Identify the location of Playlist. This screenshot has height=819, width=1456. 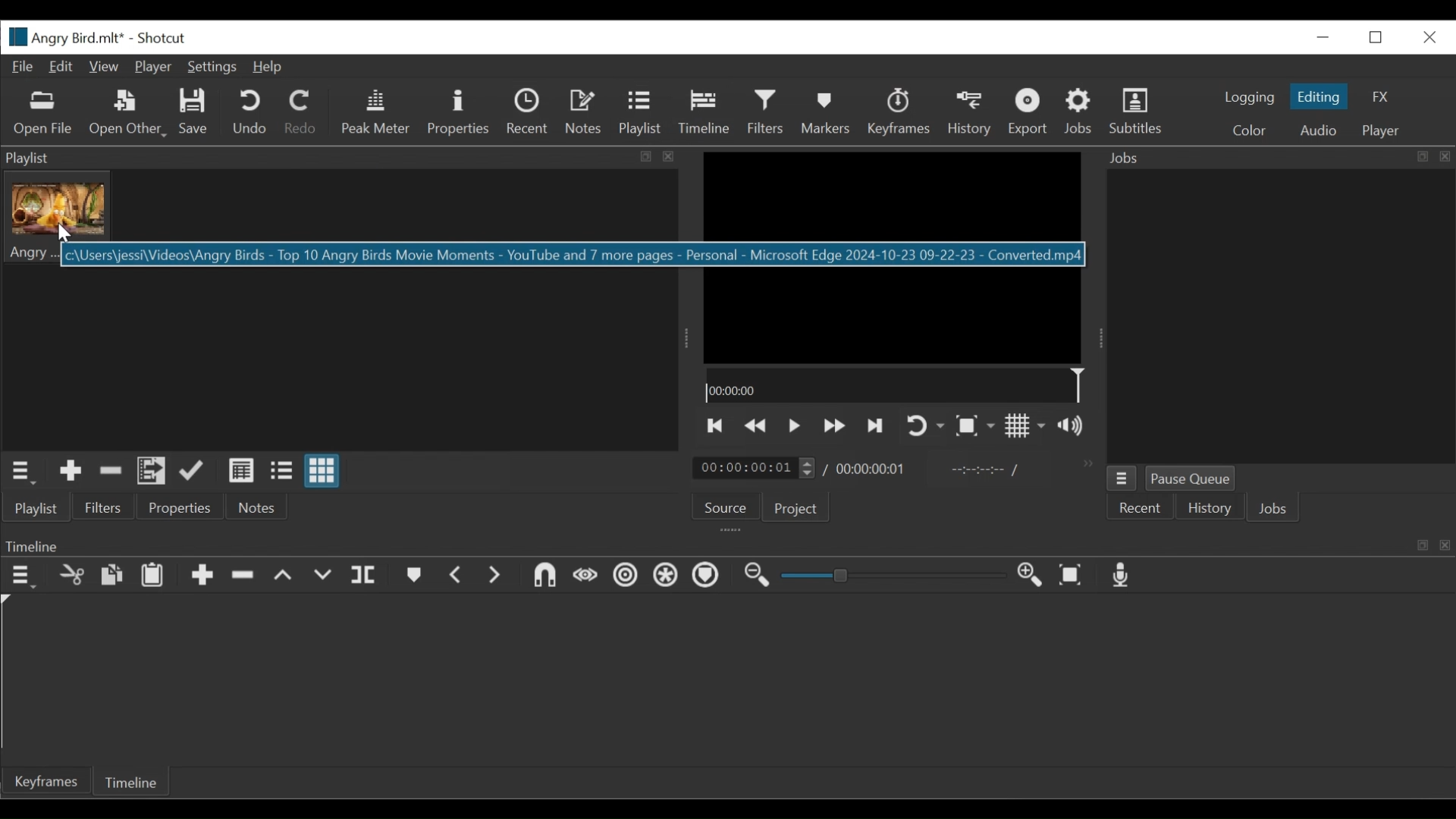
(341, 158).